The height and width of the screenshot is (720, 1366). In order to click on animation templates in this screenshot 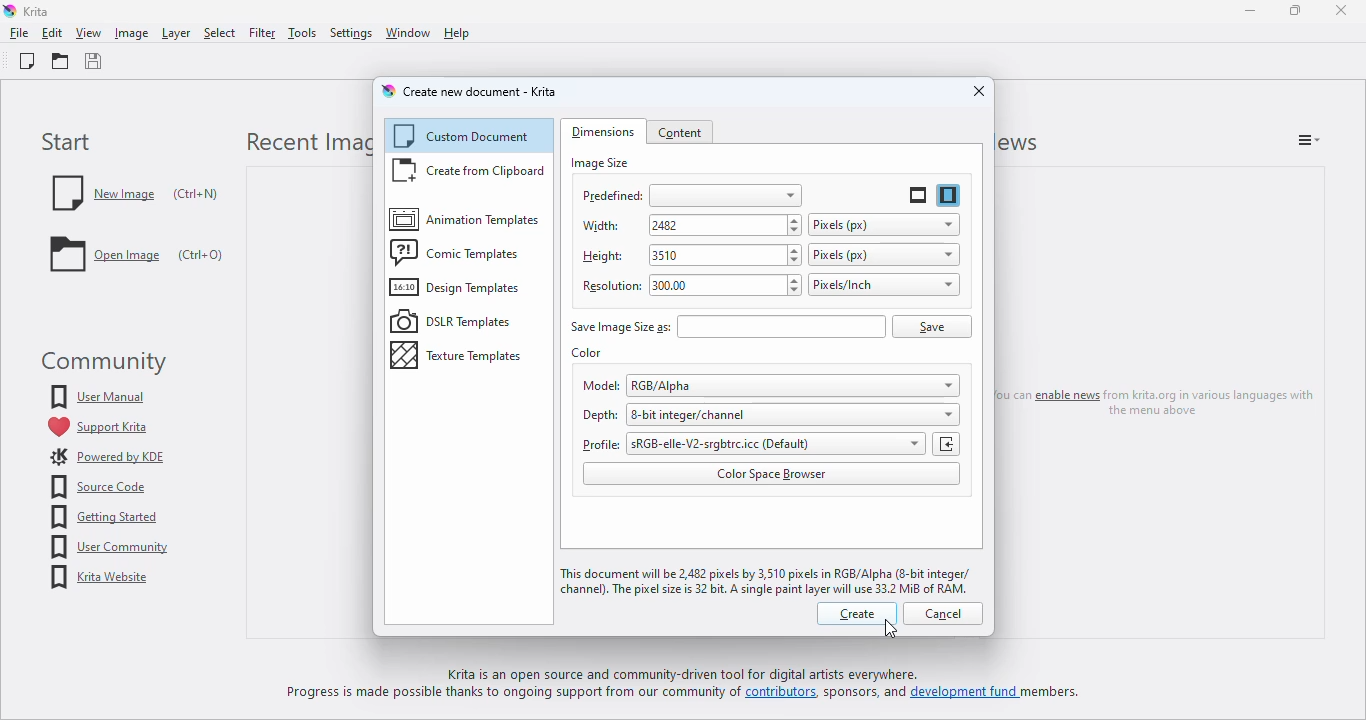, I will do `click(464, 218)`.